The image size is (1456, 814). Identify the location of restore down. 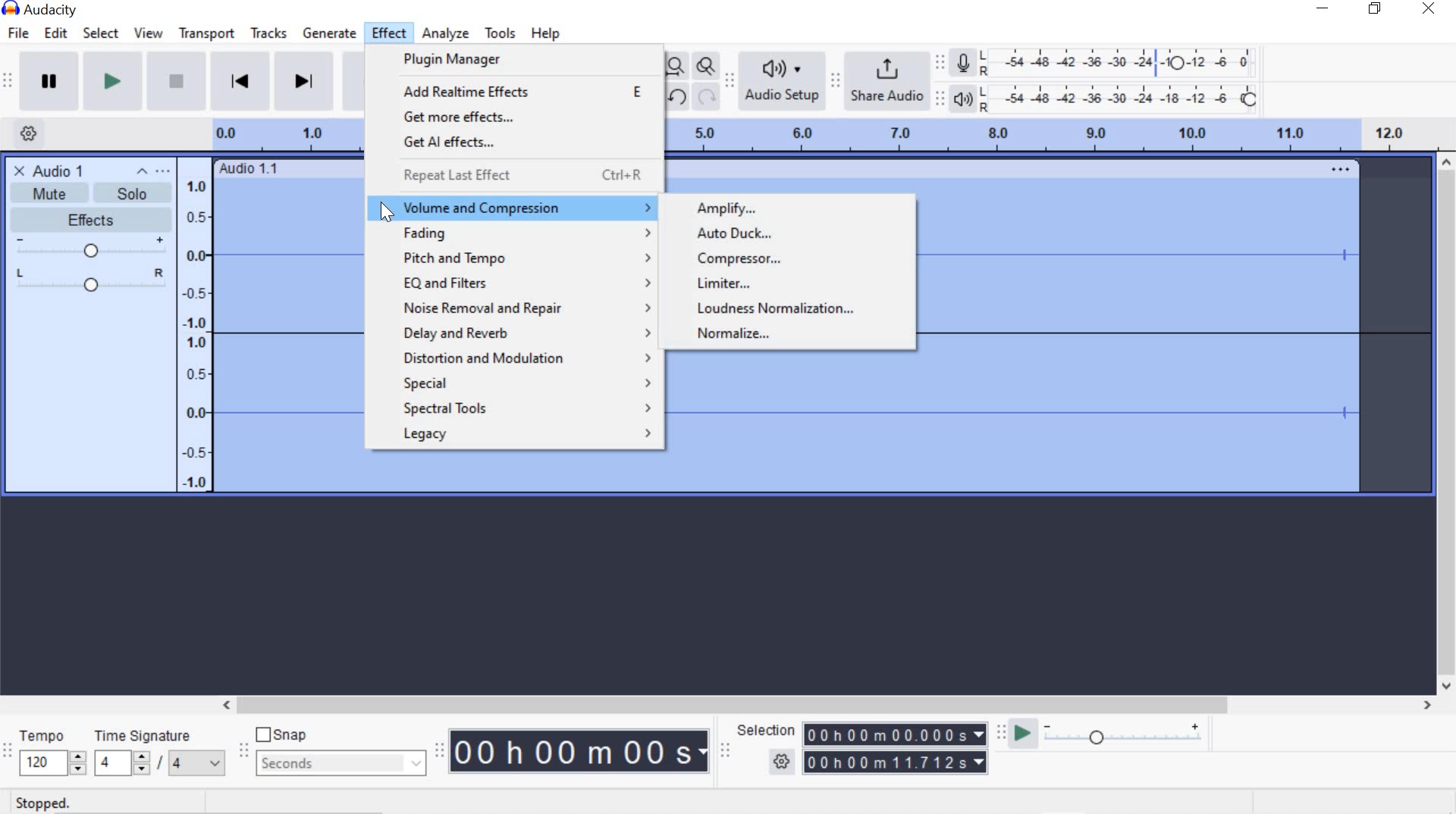
(1378, 9).